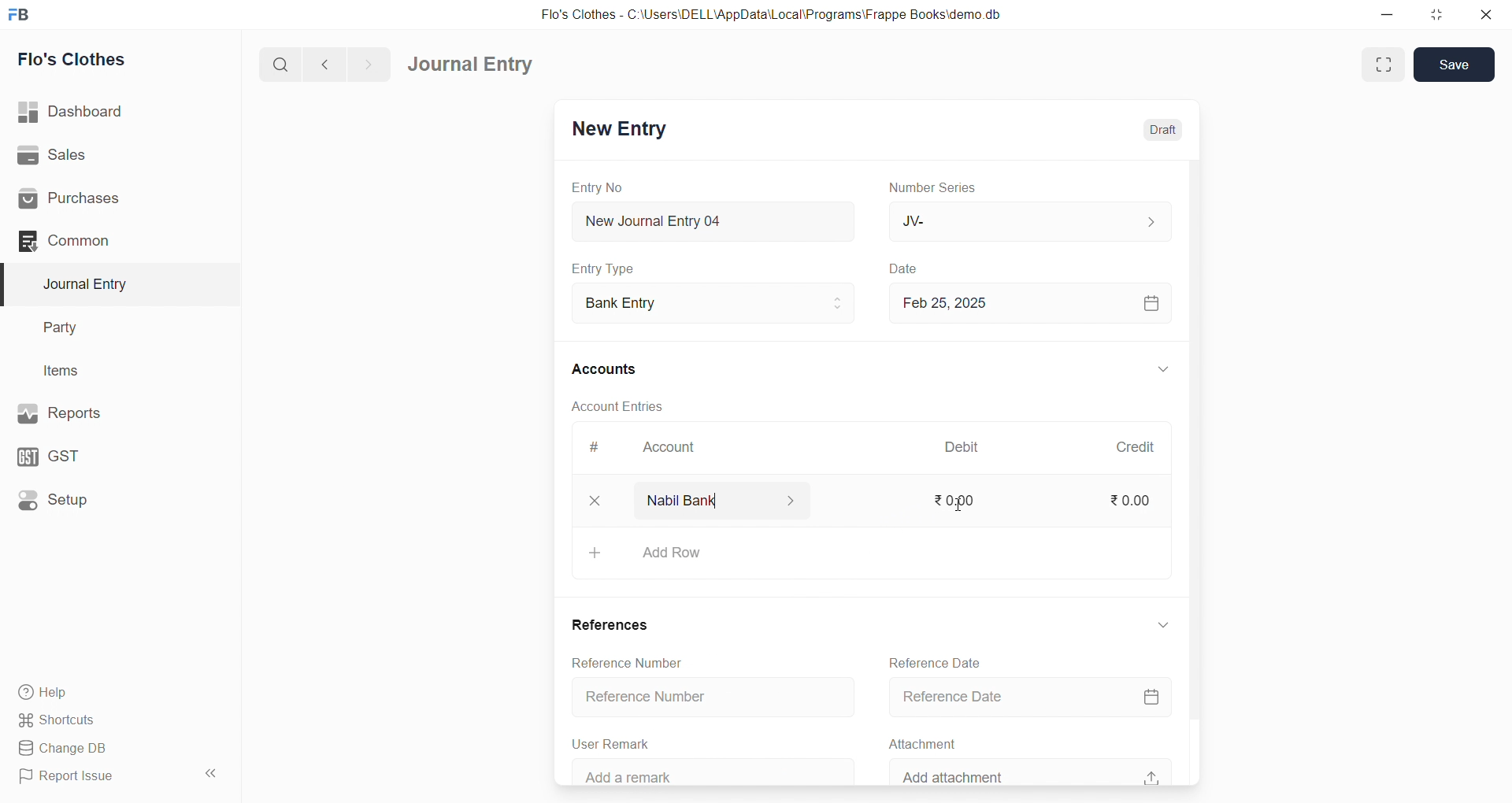  I want to click on Help, so click(114, 691).